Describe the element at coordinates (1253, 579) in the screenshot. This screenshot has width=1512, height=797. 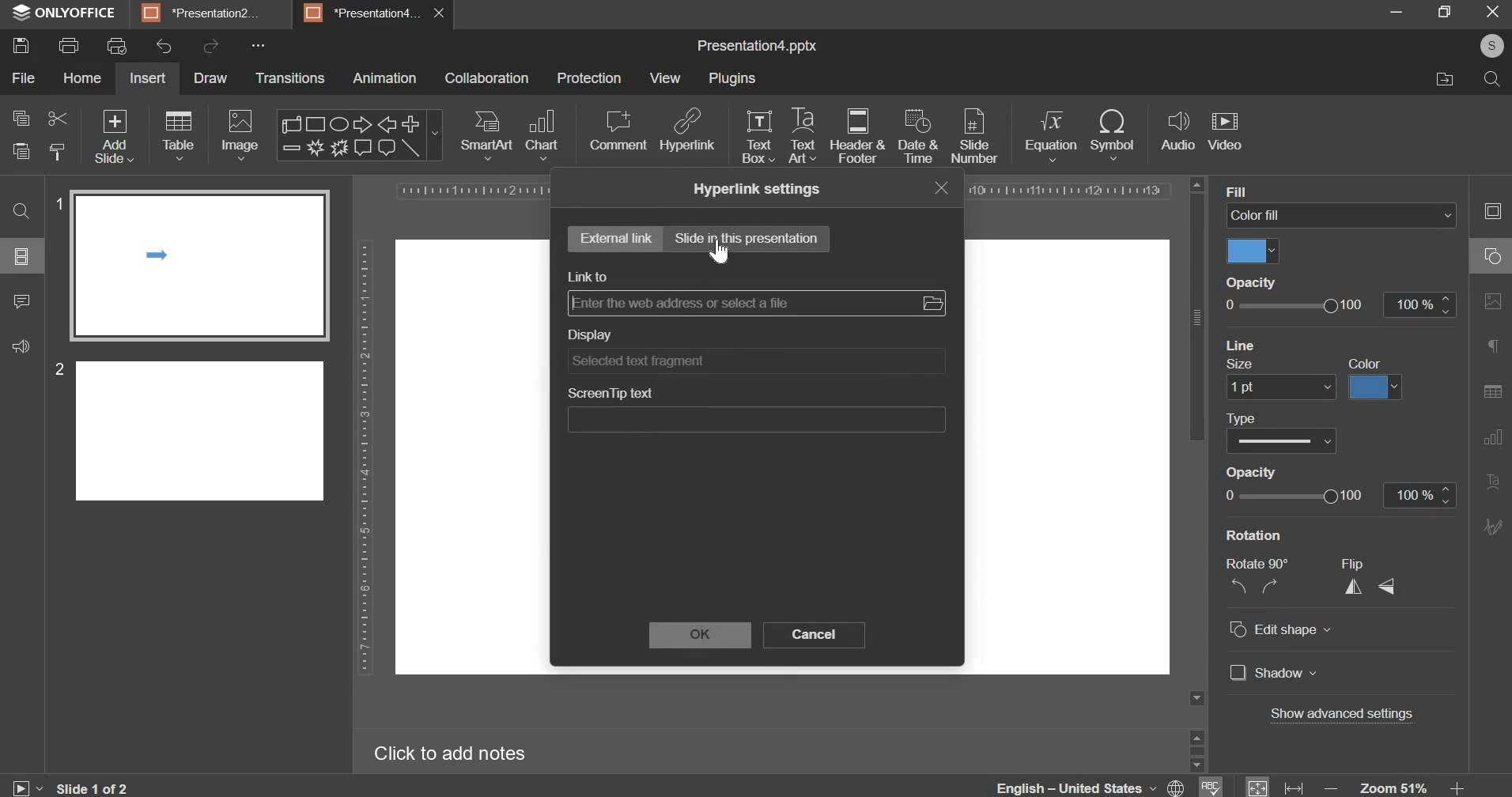
I see `Rotate 90°
NZ` at that location.